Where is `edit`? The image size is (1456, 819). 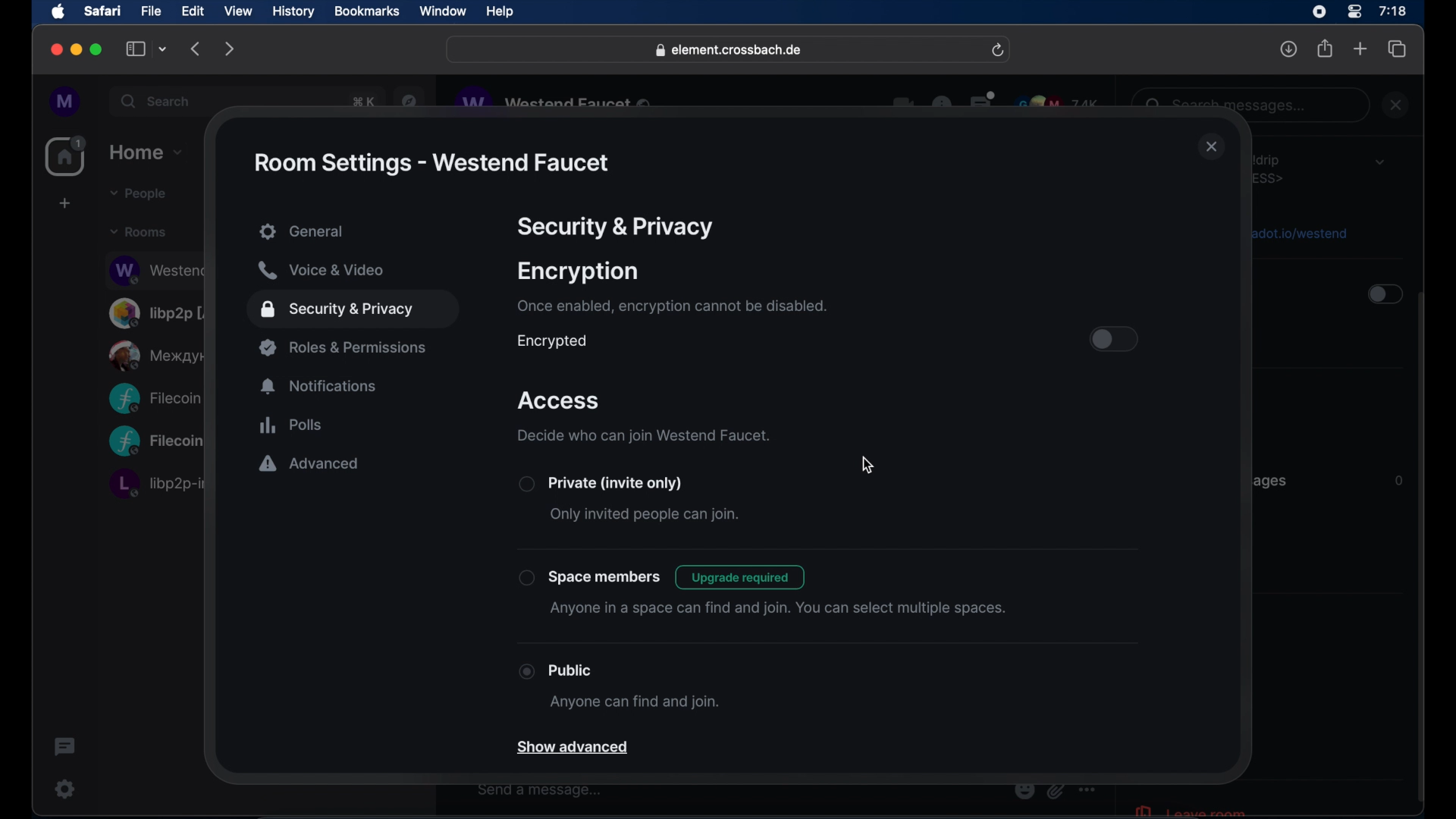
edit is located at coordinates (193, 11).